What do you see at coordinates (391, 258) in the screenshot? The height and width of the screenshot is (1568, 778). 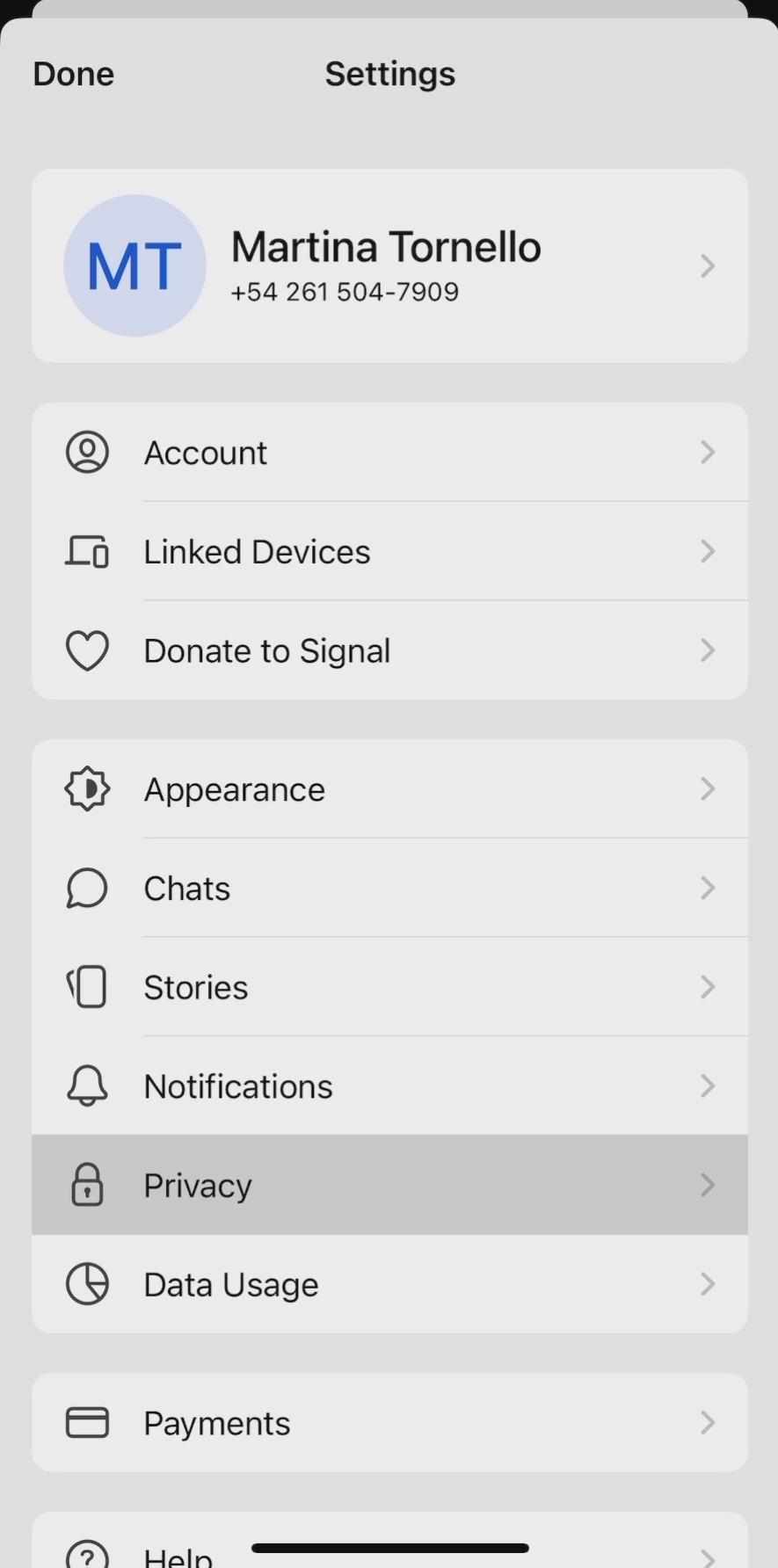 I see `contact card` at bounding box center [391, 258].